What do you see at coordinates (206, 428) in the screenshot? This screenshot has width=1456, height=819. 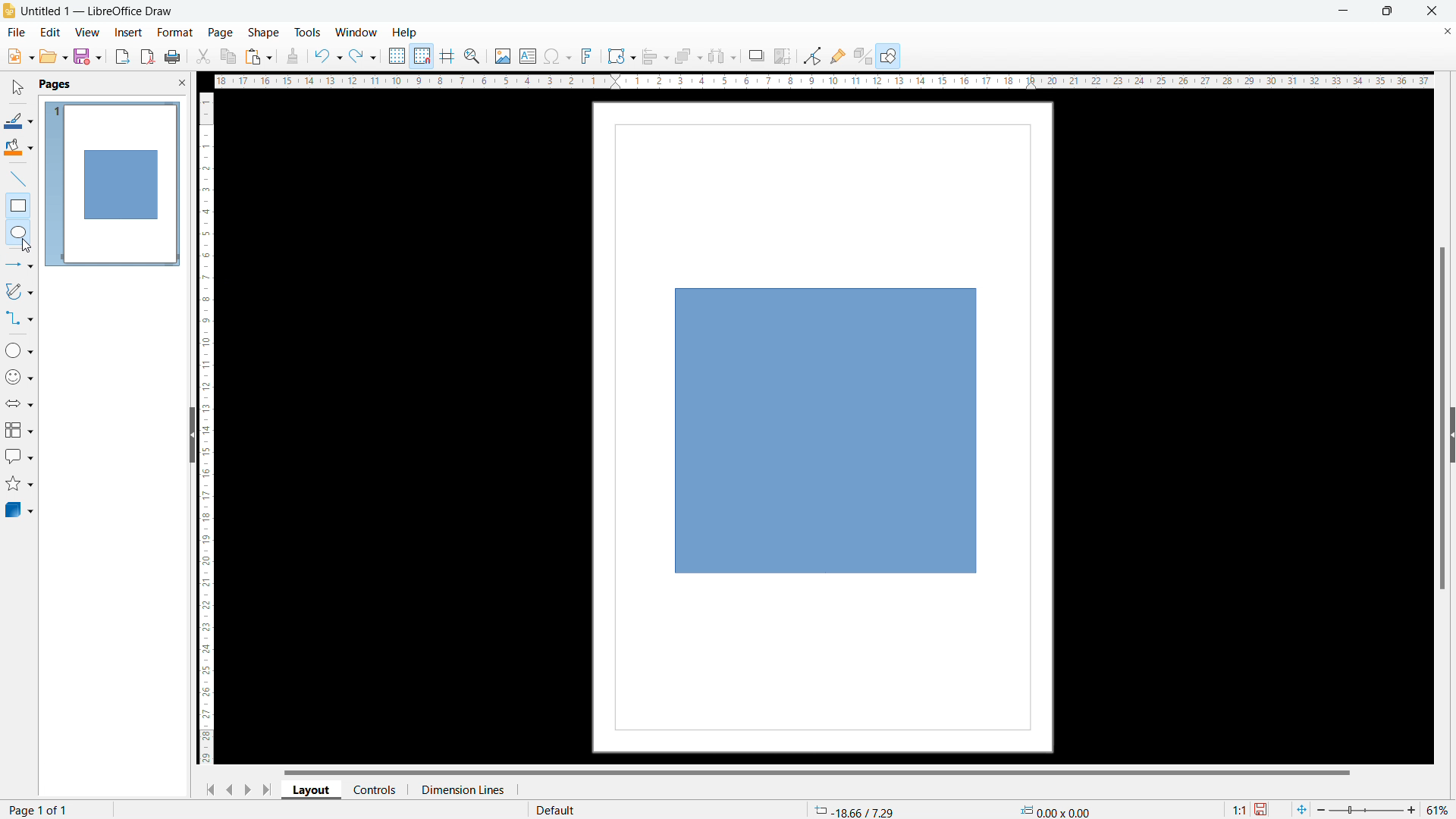 I see `vertical ruler` at bounding box center [206, 428].